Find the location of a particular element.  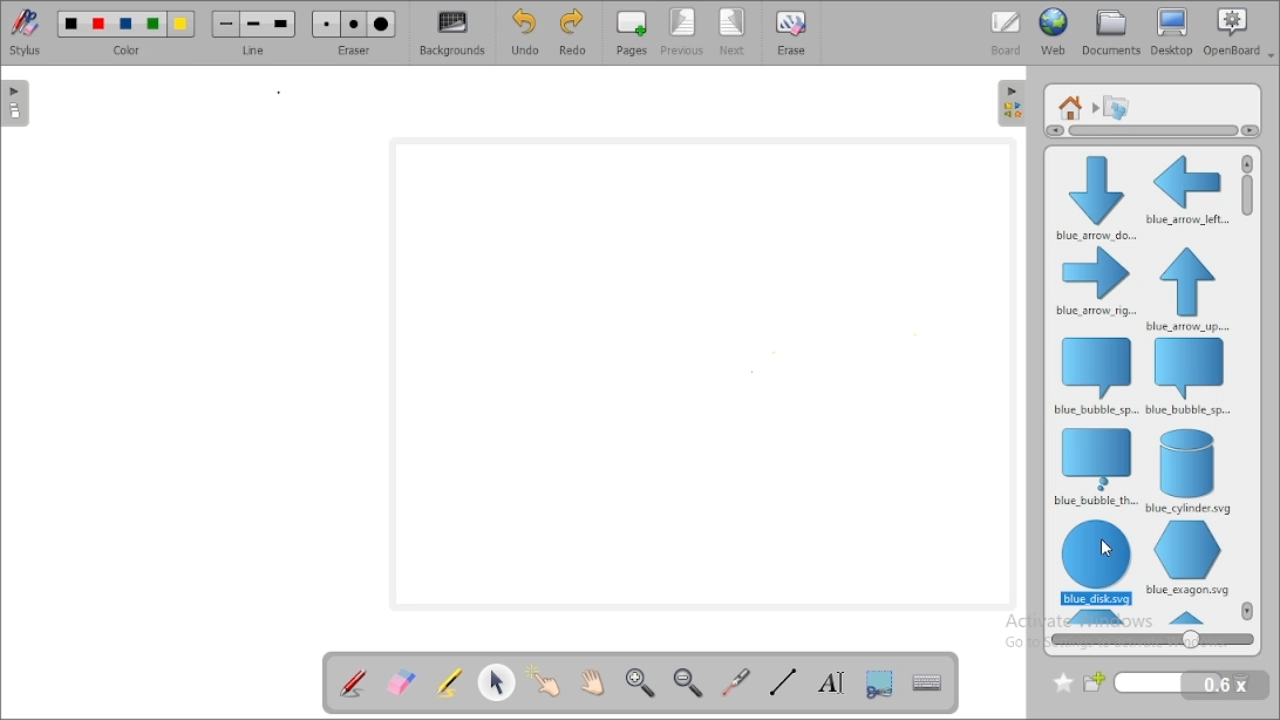

pages pane is located at coordinates (18, 103).